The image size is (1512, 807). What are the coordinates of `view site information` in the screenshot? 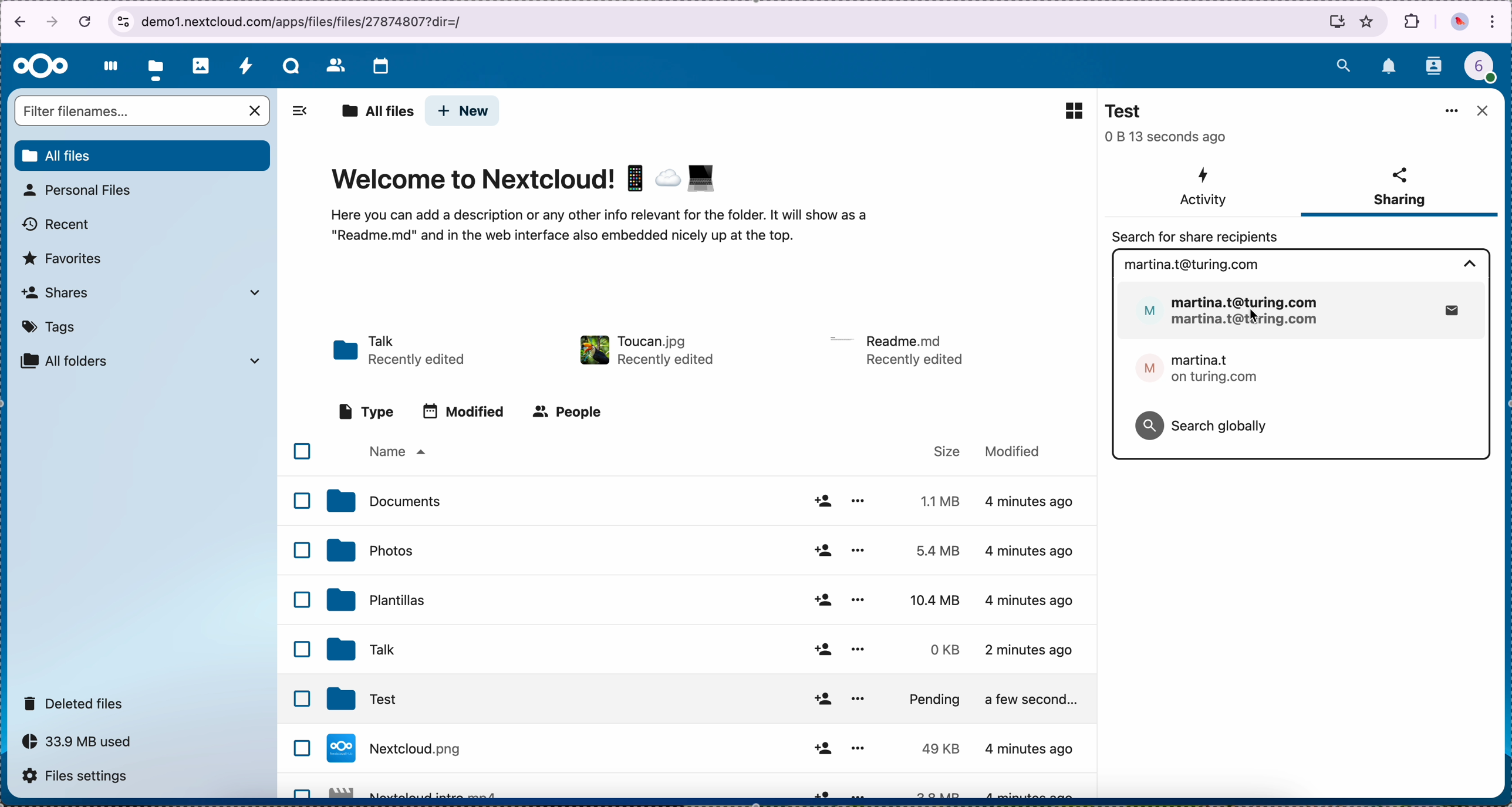 It's located at (123, 22).